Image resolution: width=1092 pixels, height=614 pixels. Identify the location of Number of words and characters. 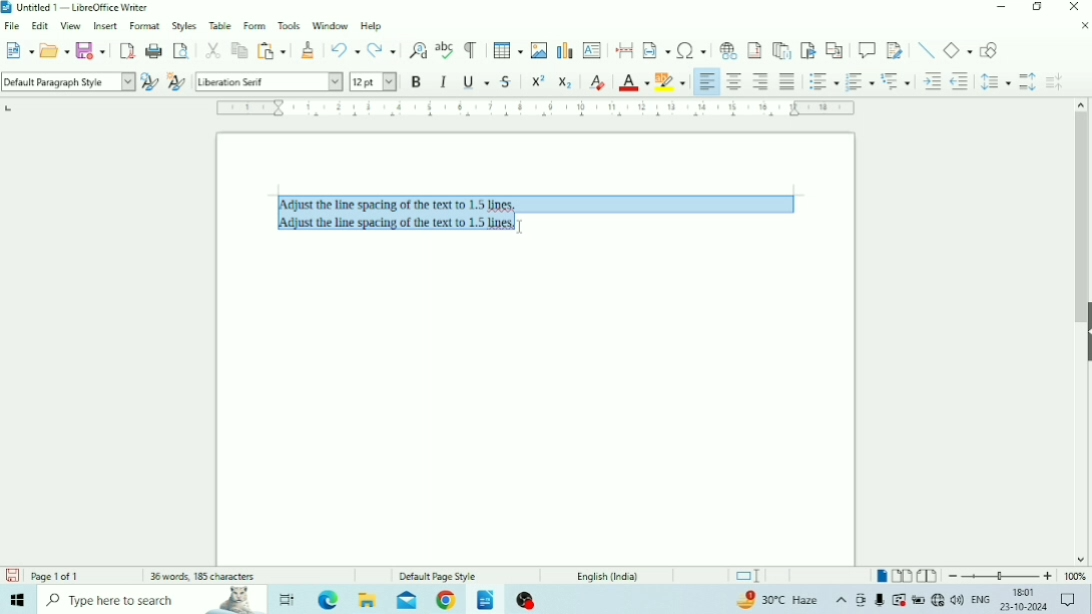
(202, 575).